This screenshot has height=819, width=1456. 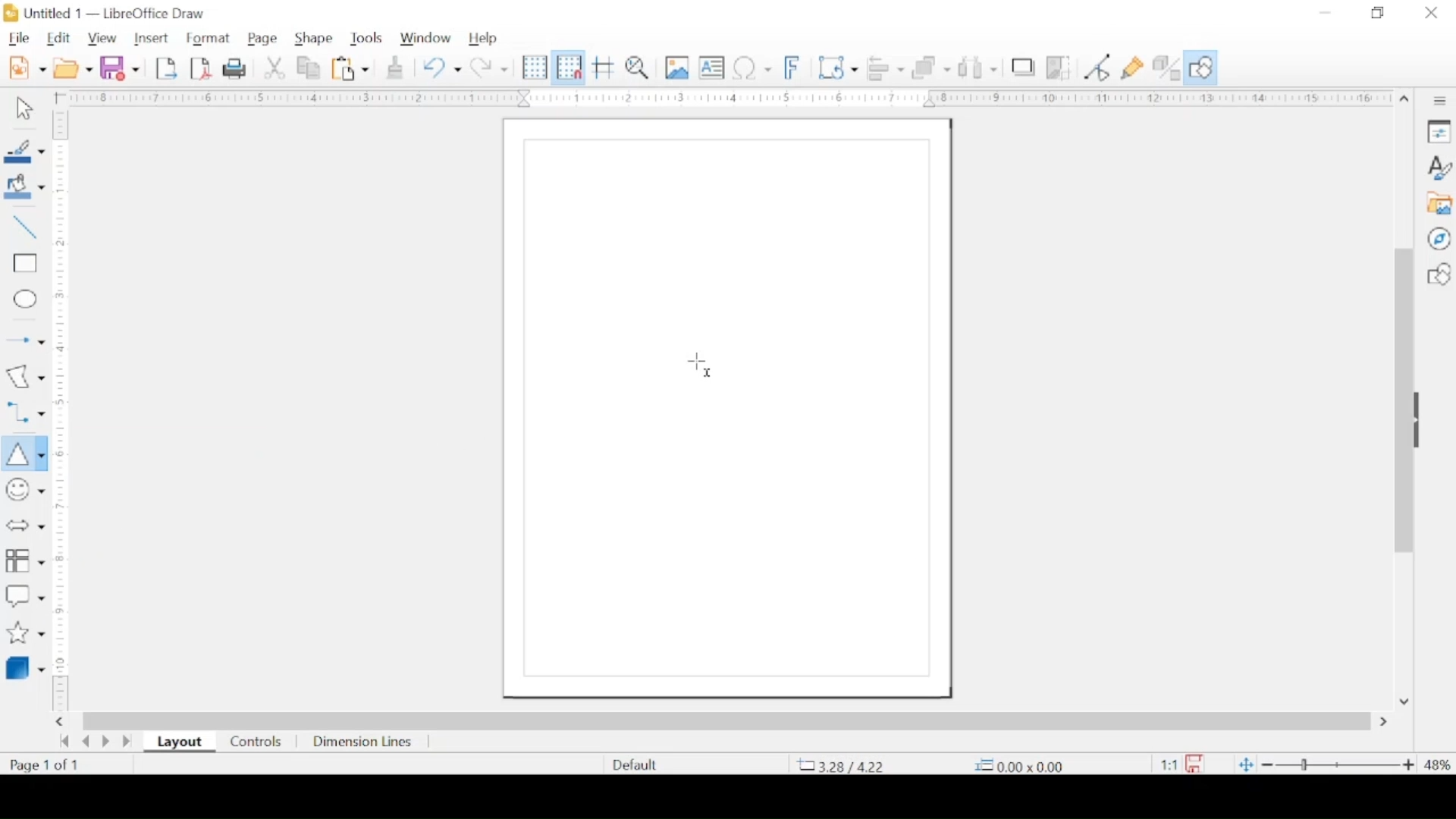 I want to click on insert ellipse, so click(x=24, y=300).